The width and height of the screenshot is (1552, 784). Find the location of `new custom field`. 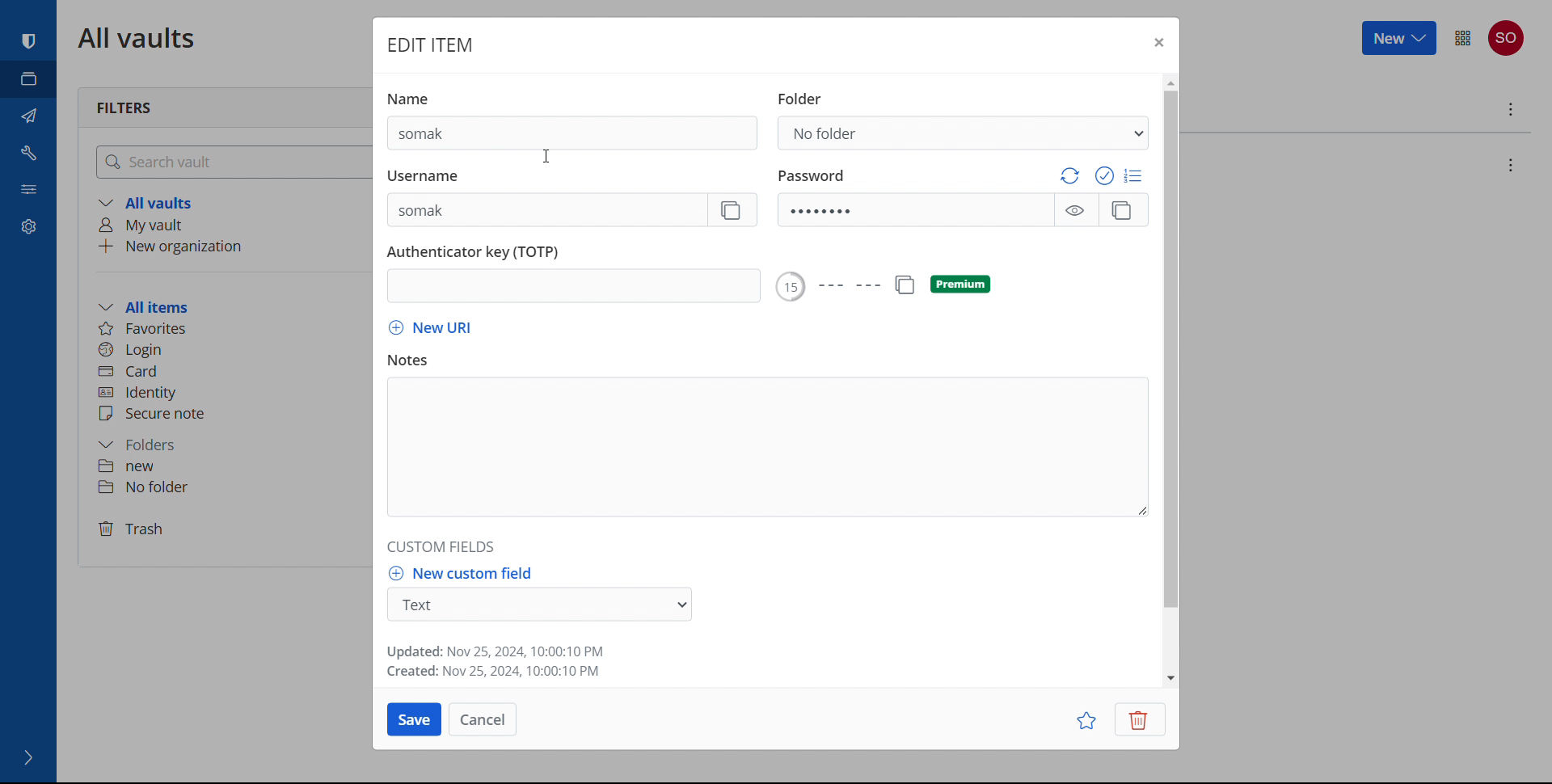

new custom field is located at coordinates (460, 572).